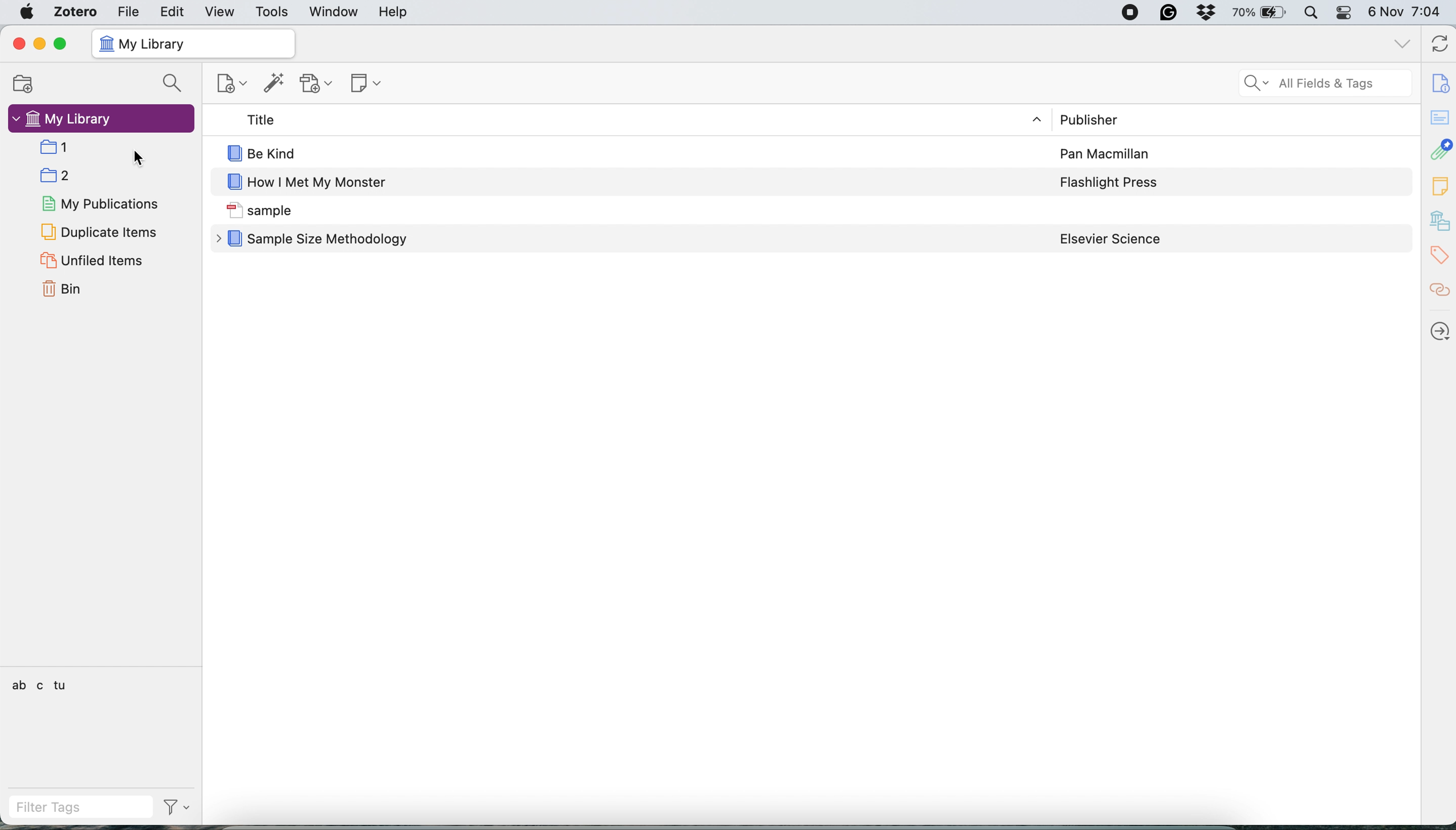  What do you see at coordinates (1210, 13) in the screenshot?
I see `dropbox` at bounding box center [1210, 13].